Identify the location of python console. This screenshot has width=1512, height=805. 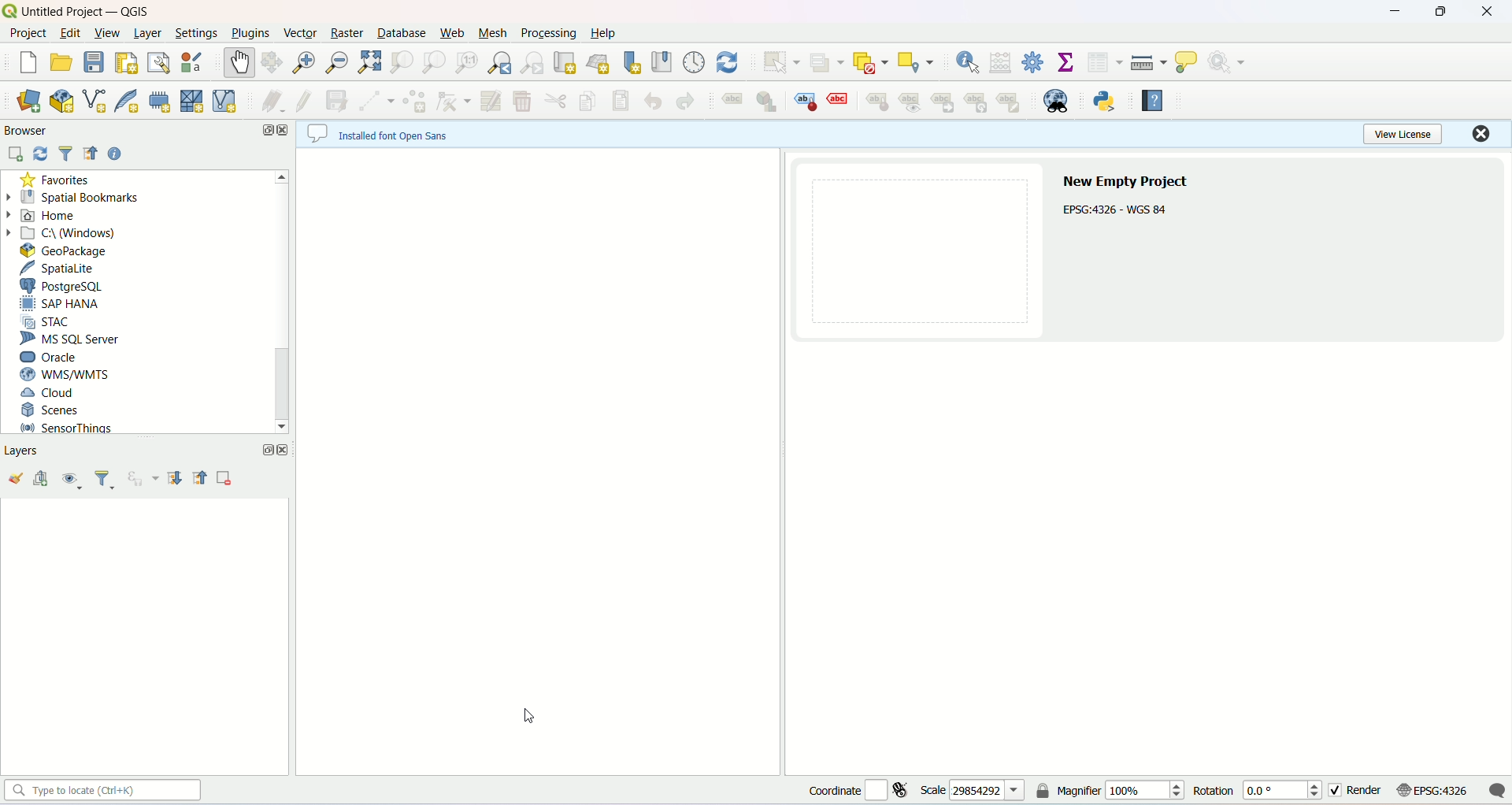
(1104, 100).